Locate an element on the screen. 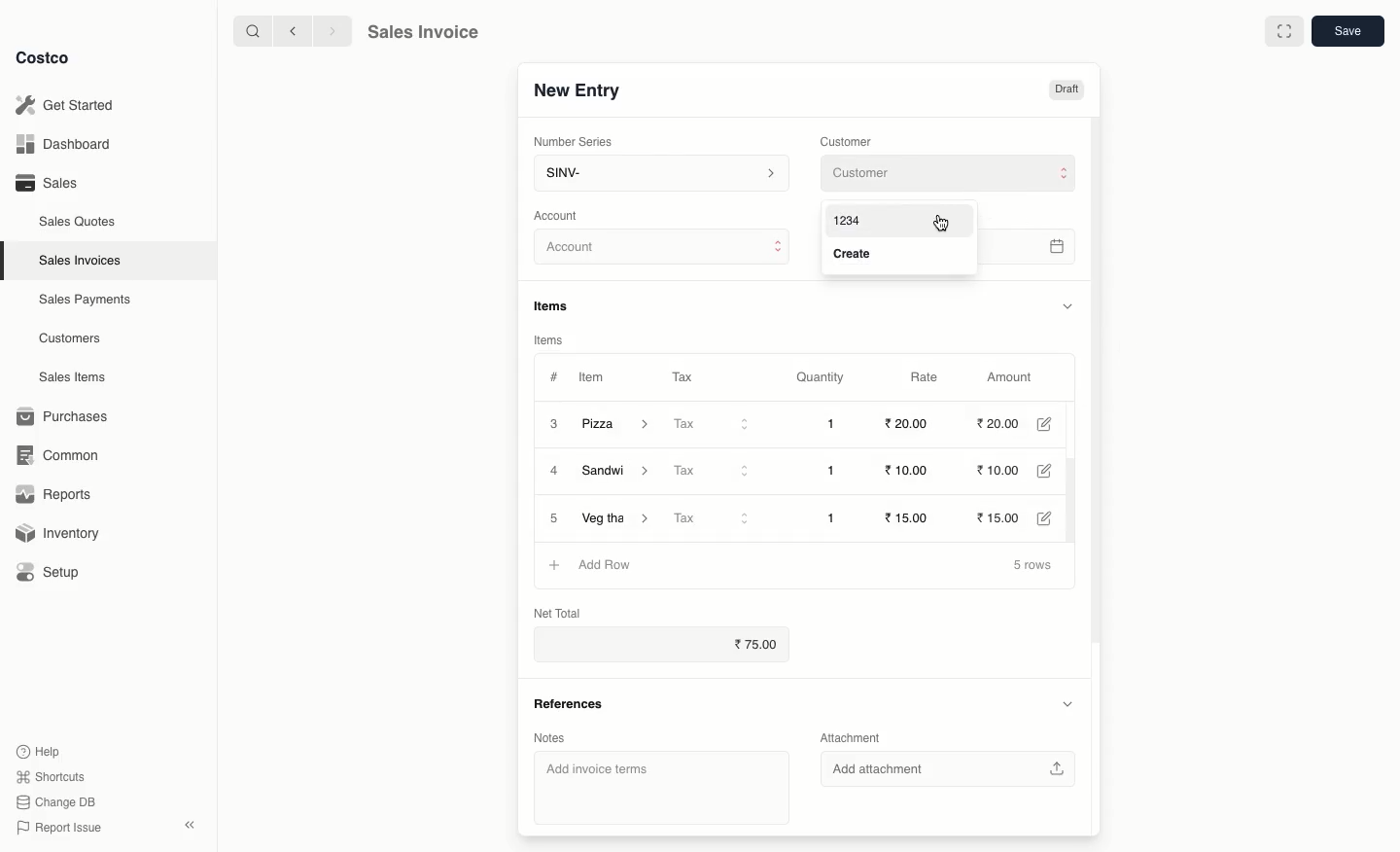 Image resolution: width=1400 pixels, height=852 pixels. Shortcuts is located at coordinates (50, 777).